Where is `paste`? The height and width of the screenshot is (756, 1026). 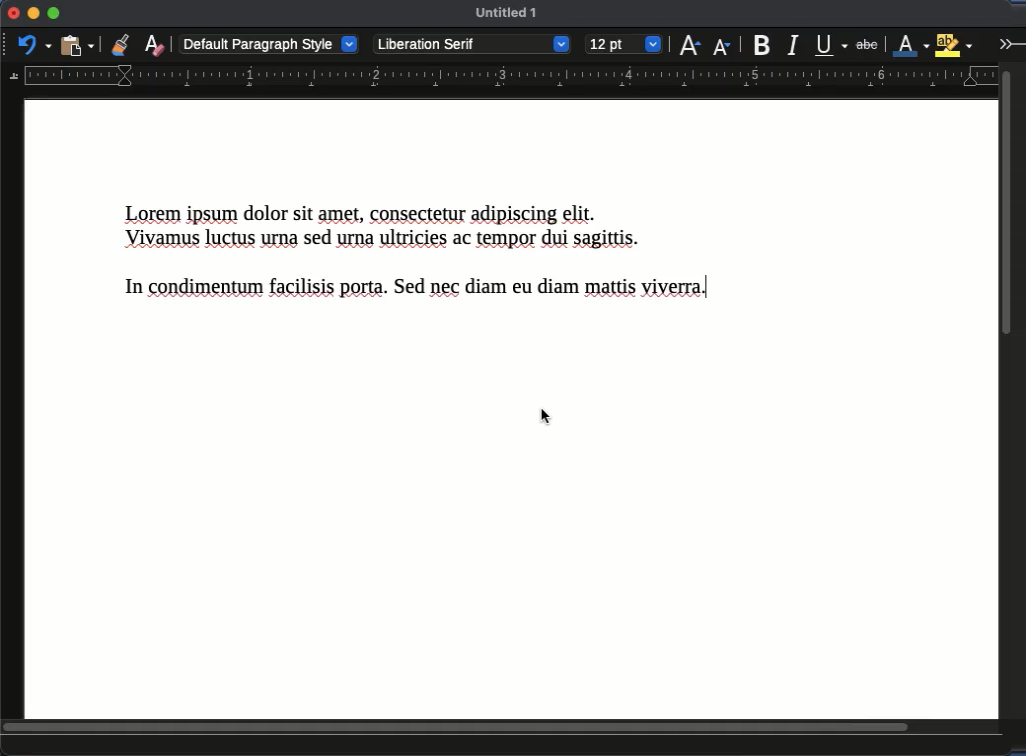 paste is located at coordinates (79, 44).